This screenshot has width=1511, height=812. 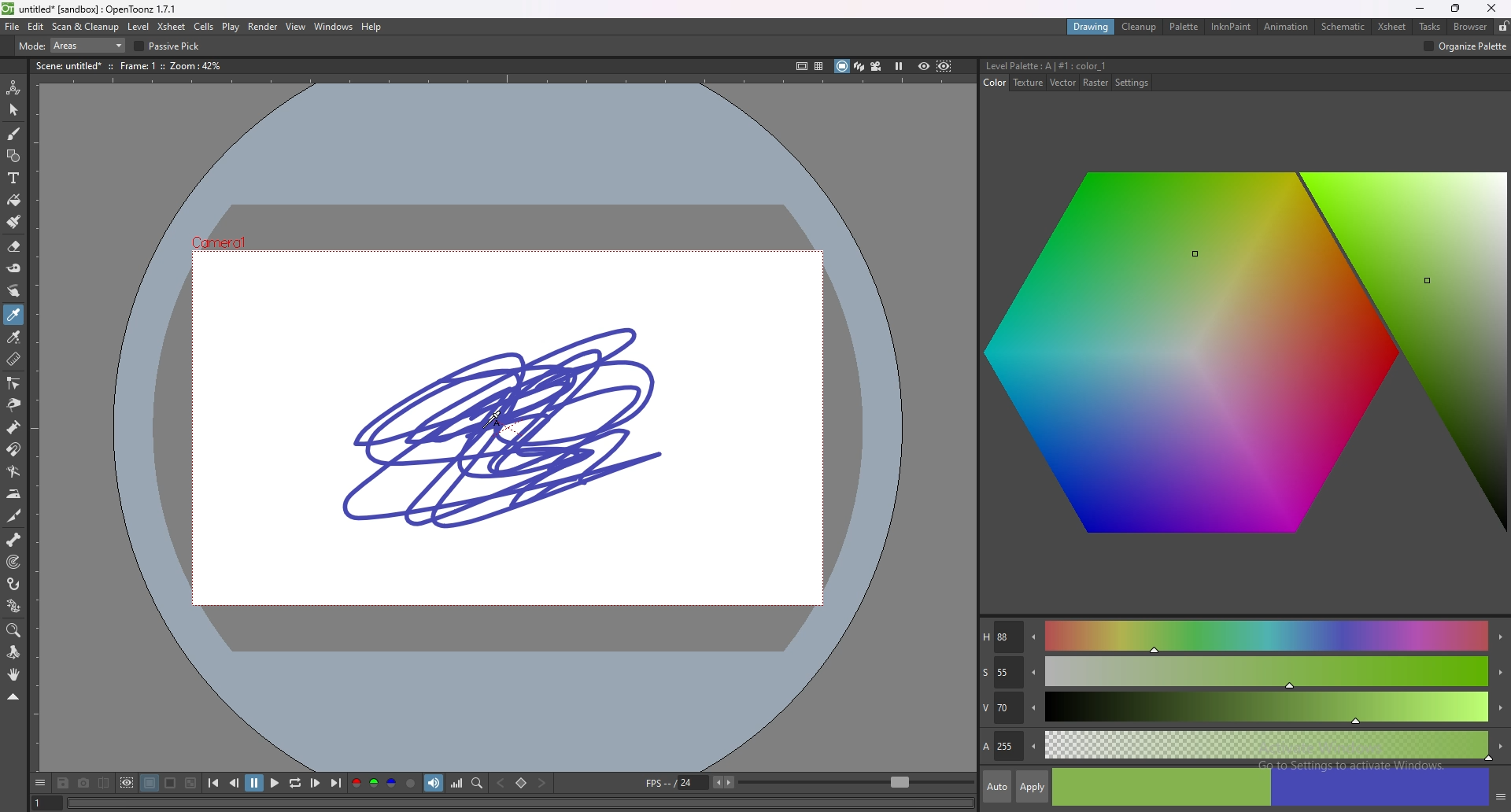 What do you see at coordinates (214, 783) in the screenshot?
I see `first frame` at bounding box center [214, 783].